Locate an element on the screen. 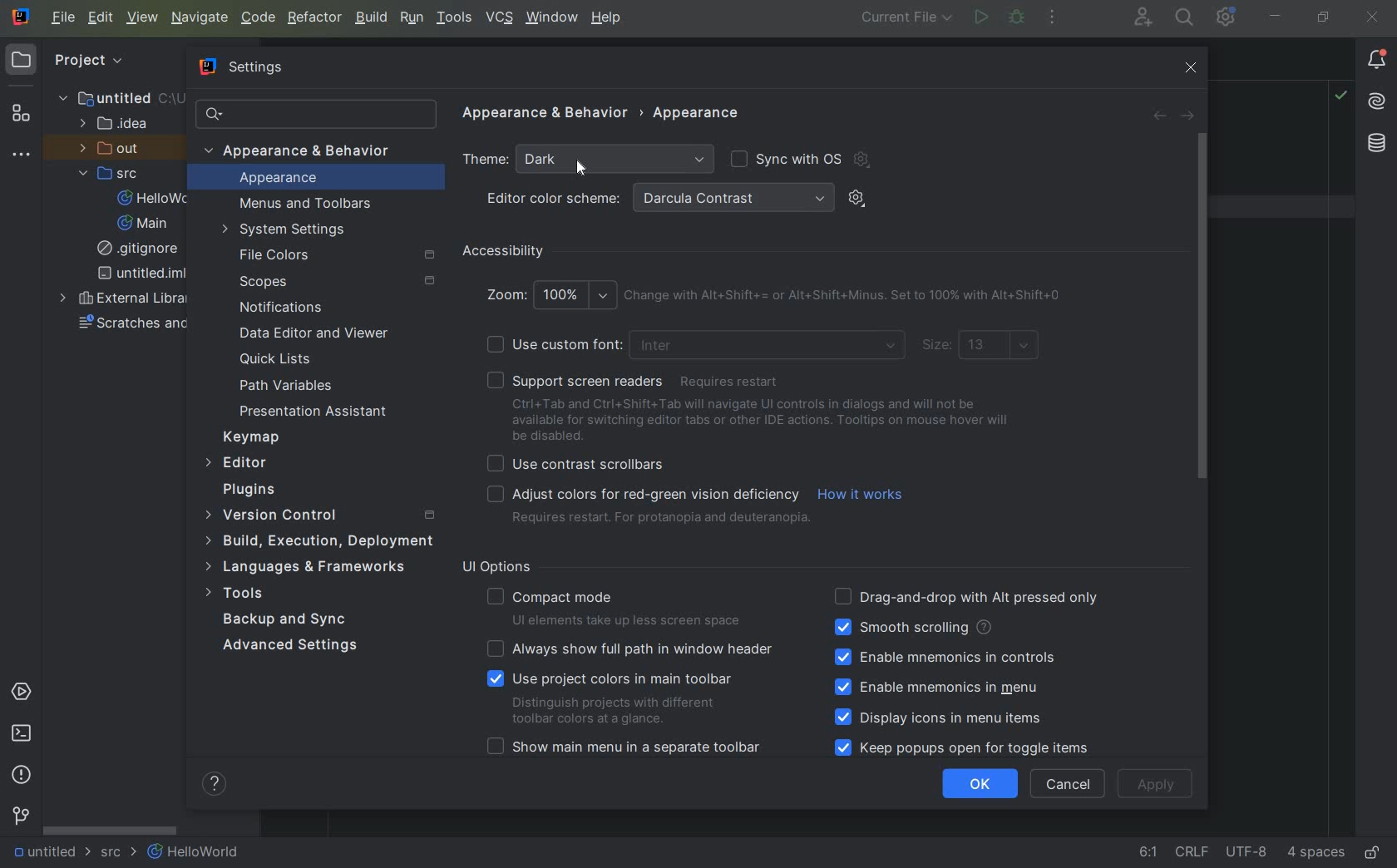  RUN is located at coordinates (409, 17).